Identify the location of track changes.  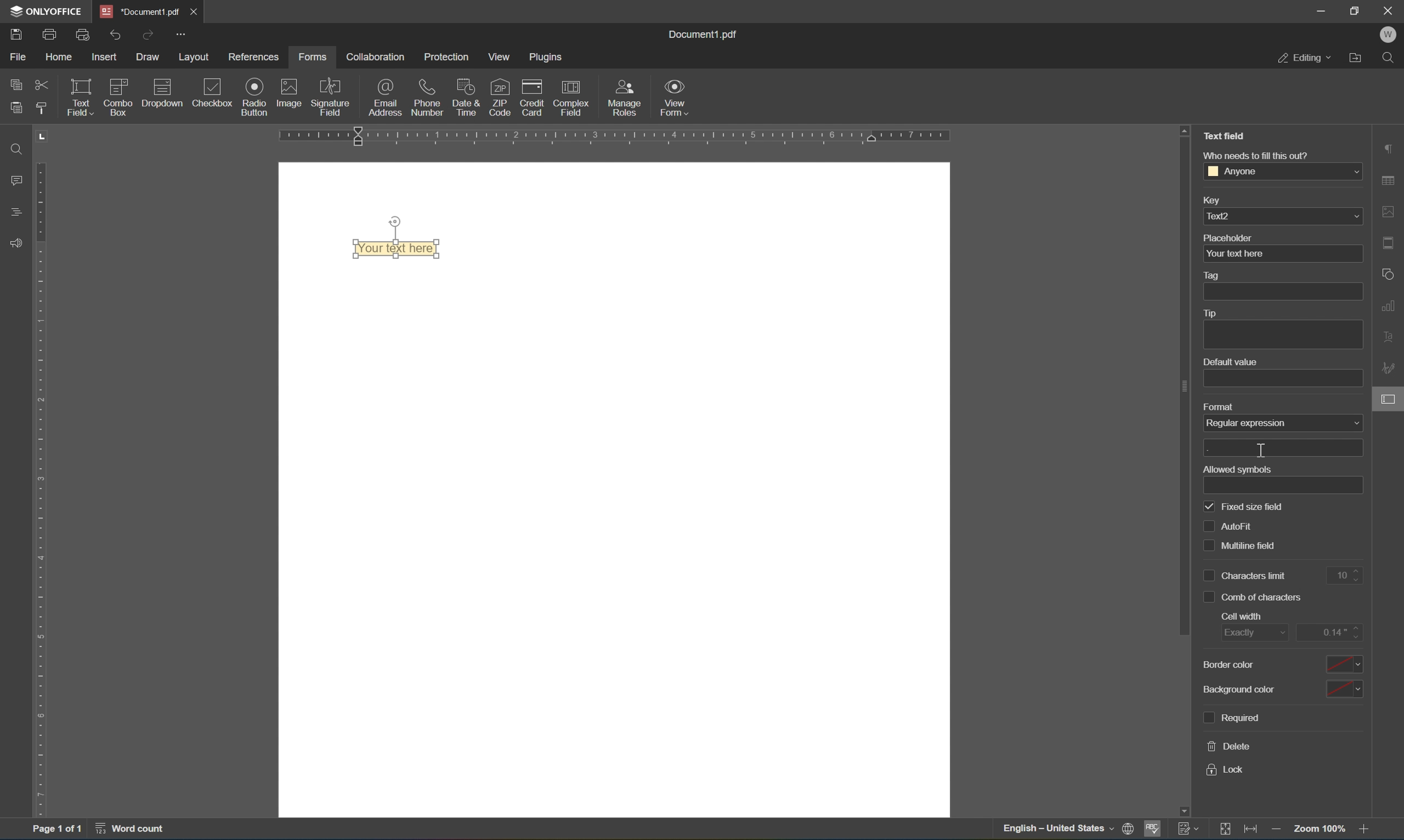
(1187, 830).